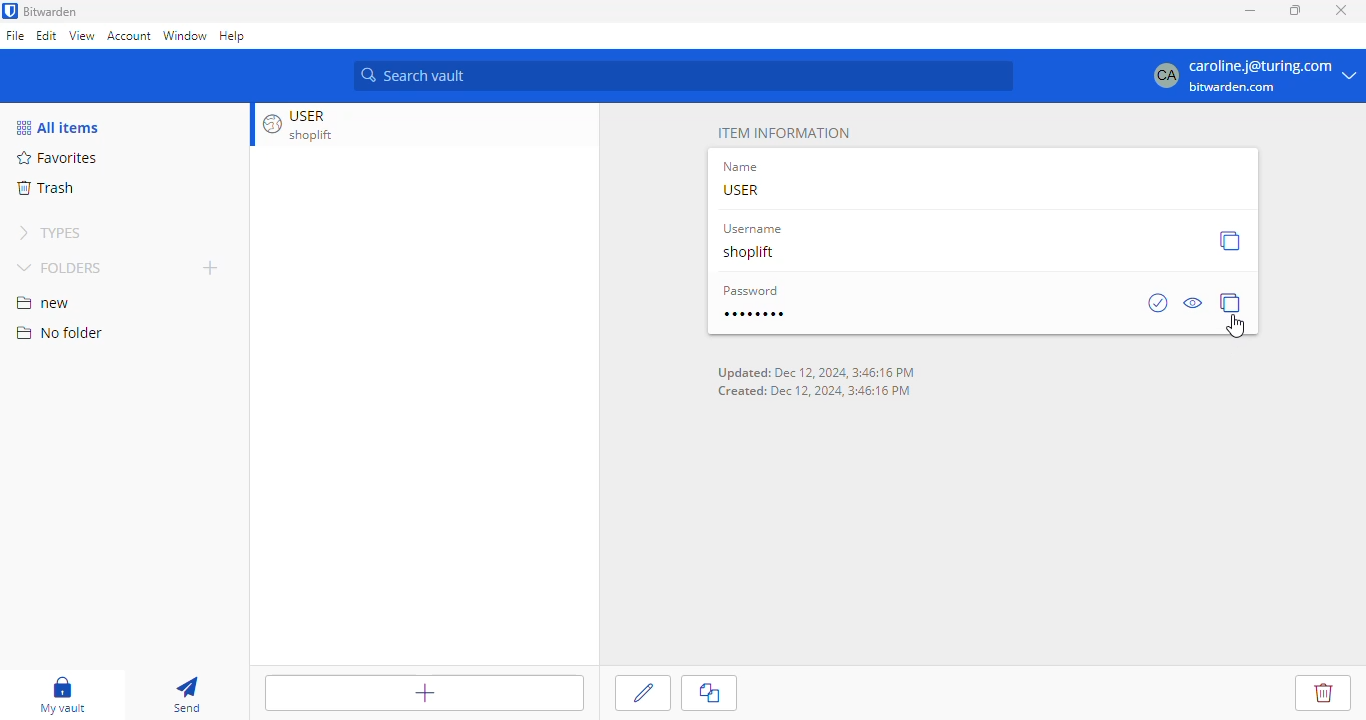 The height and width of the screenshot is (720, 1366). I want to click on maximize, so click(1296, 10).